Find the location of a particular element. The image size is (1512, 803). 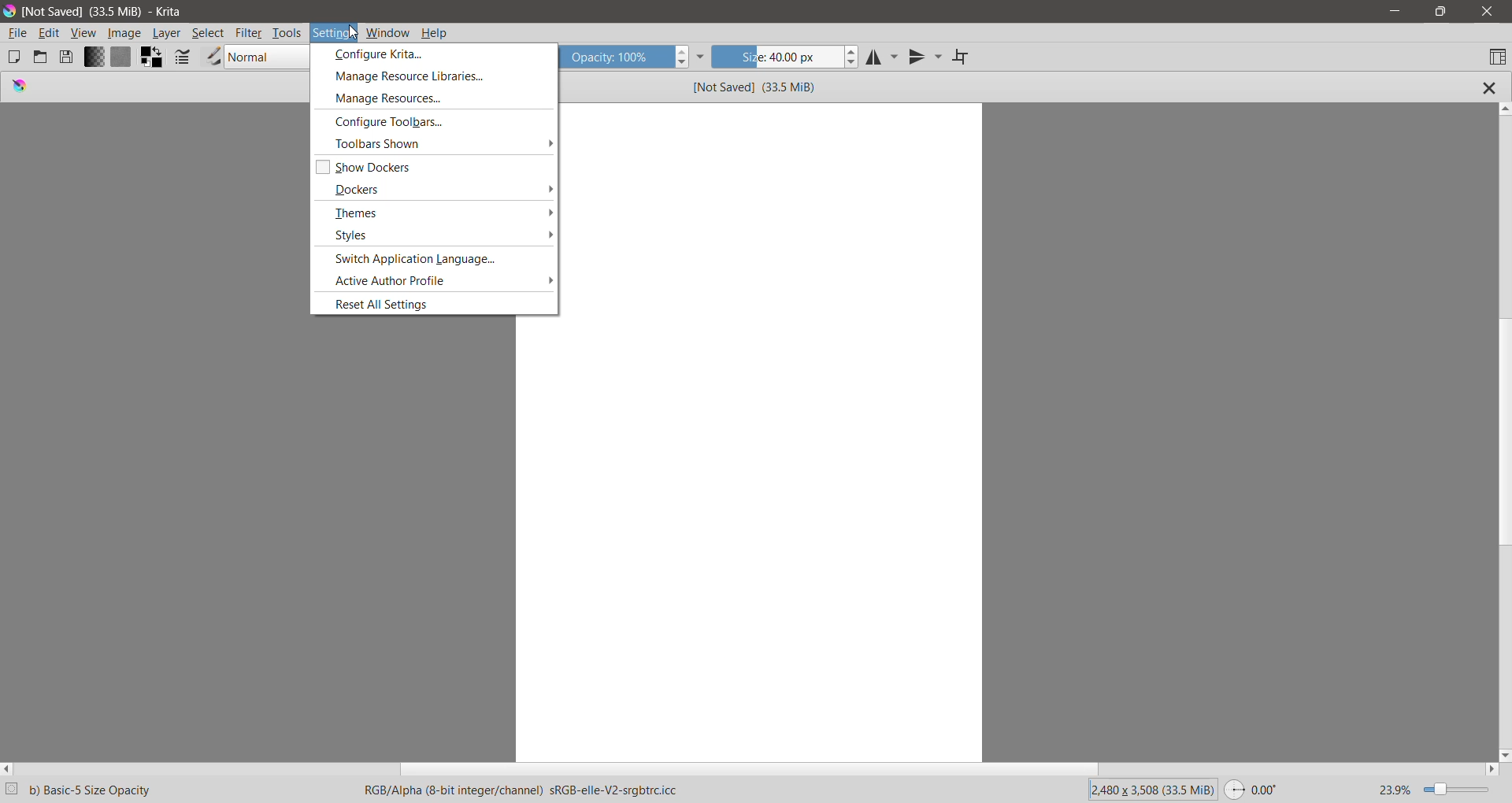

Choose brush preset is located at coordinates (213, 56).